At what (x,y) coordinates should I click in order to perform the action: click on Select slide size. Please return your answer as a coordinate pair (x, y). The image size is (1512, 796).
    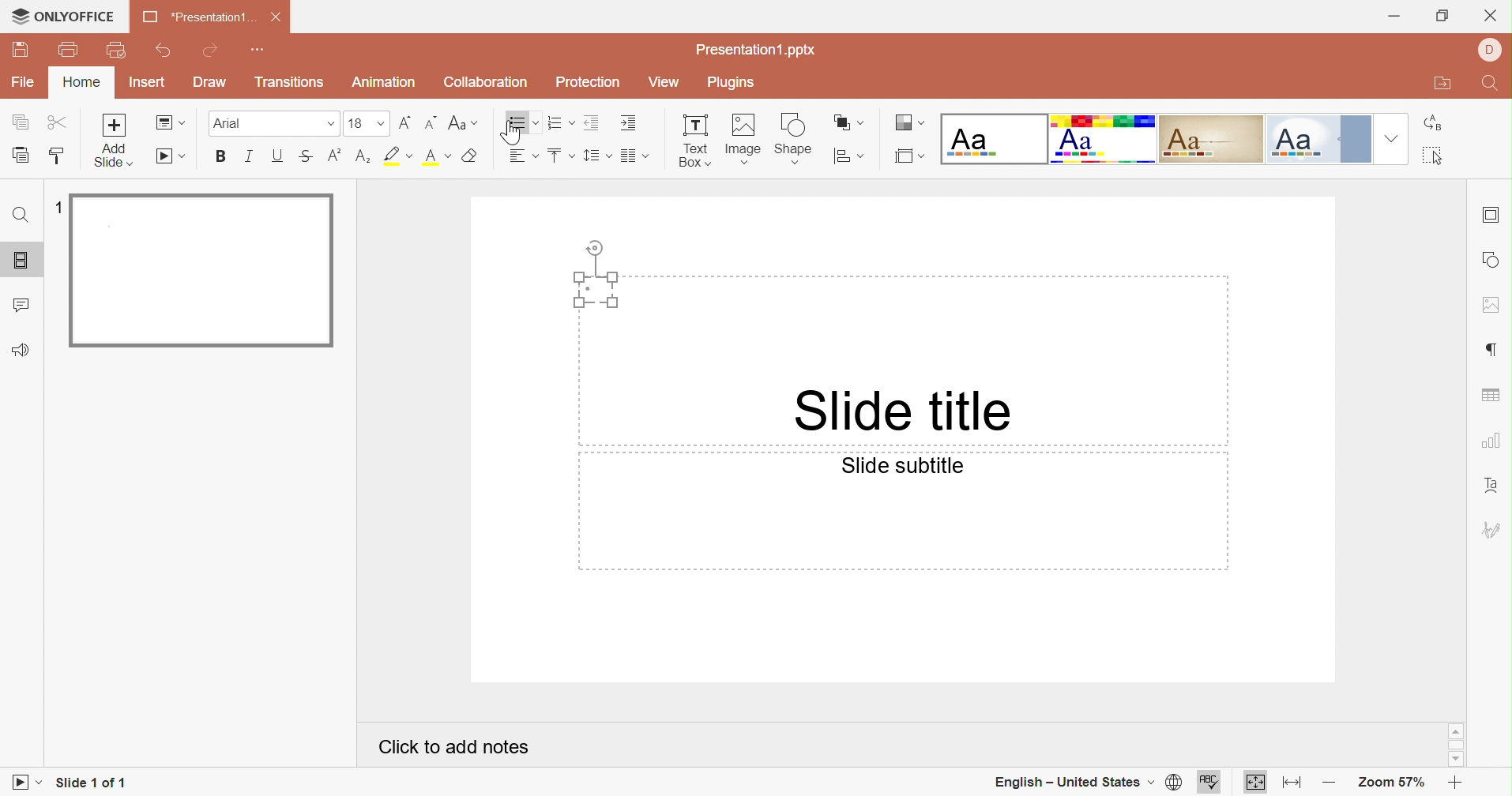
    Looking at the image, I should click on (912, 157).